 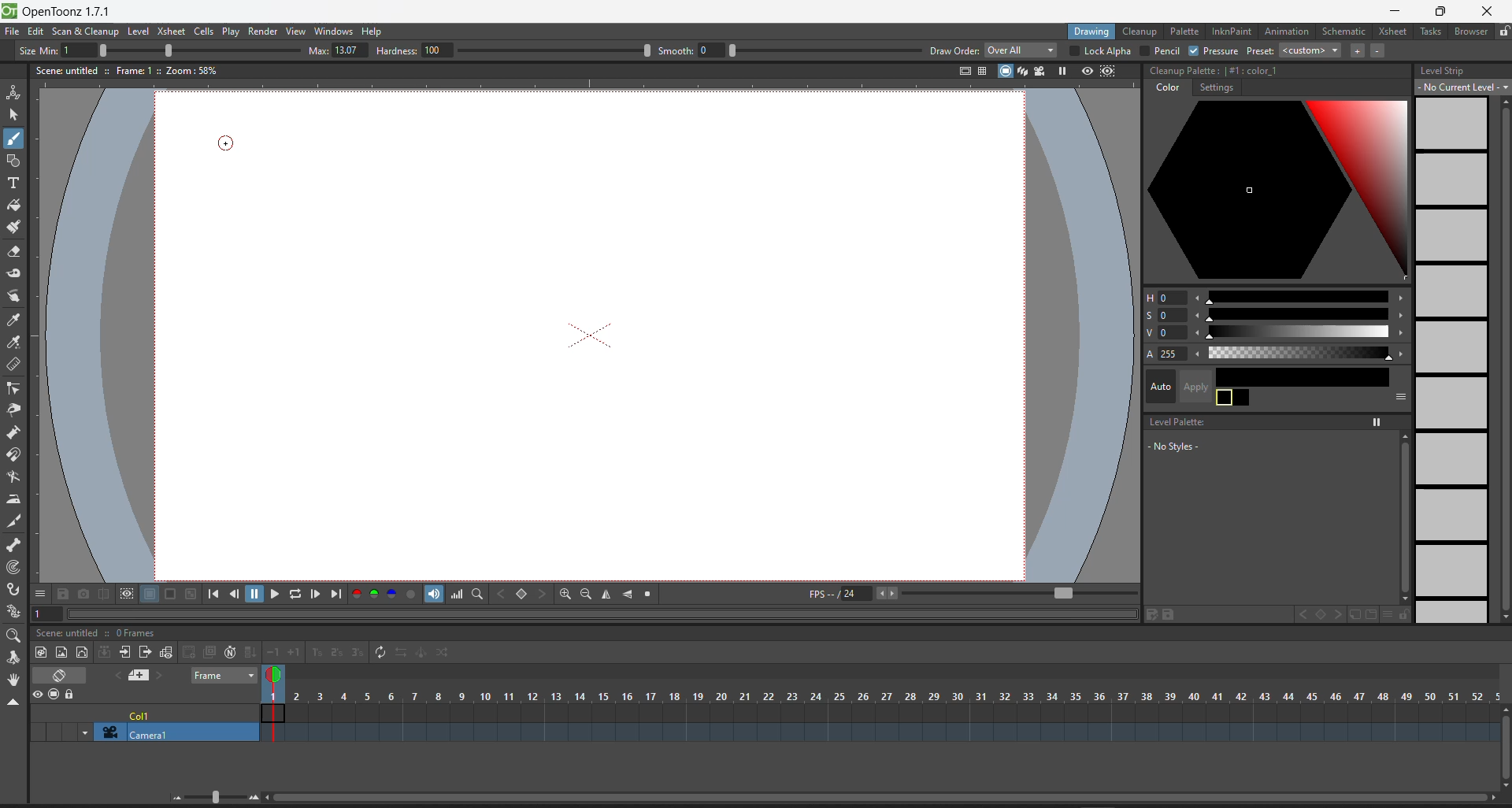 I want to click on open sub x-sheet, so click(x=124, y=653).